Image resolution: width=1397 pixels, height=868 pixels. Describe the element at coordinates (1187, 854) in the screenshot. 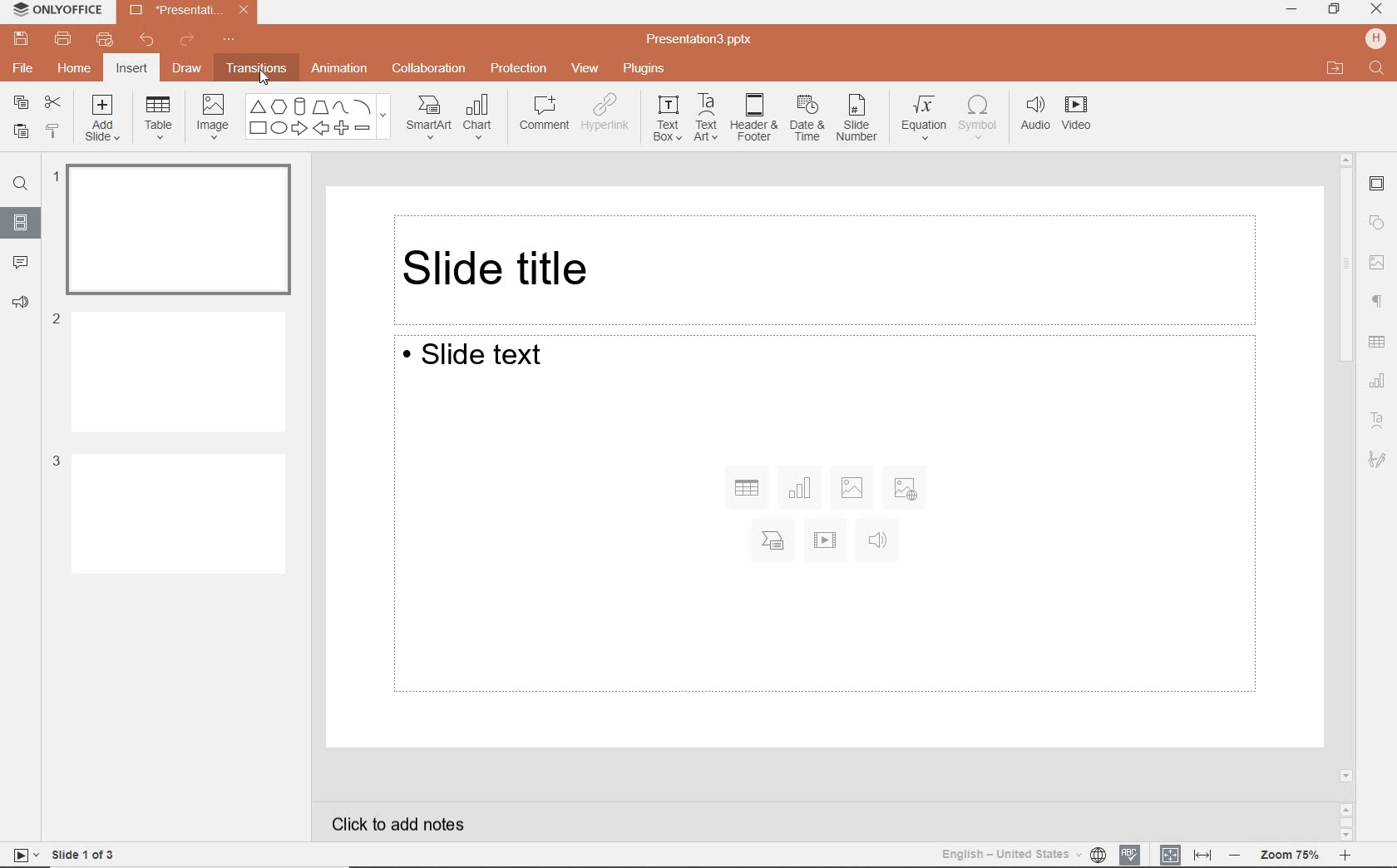

I see `FIT TO SLIDE / FIT TO WIDTH` at that location.